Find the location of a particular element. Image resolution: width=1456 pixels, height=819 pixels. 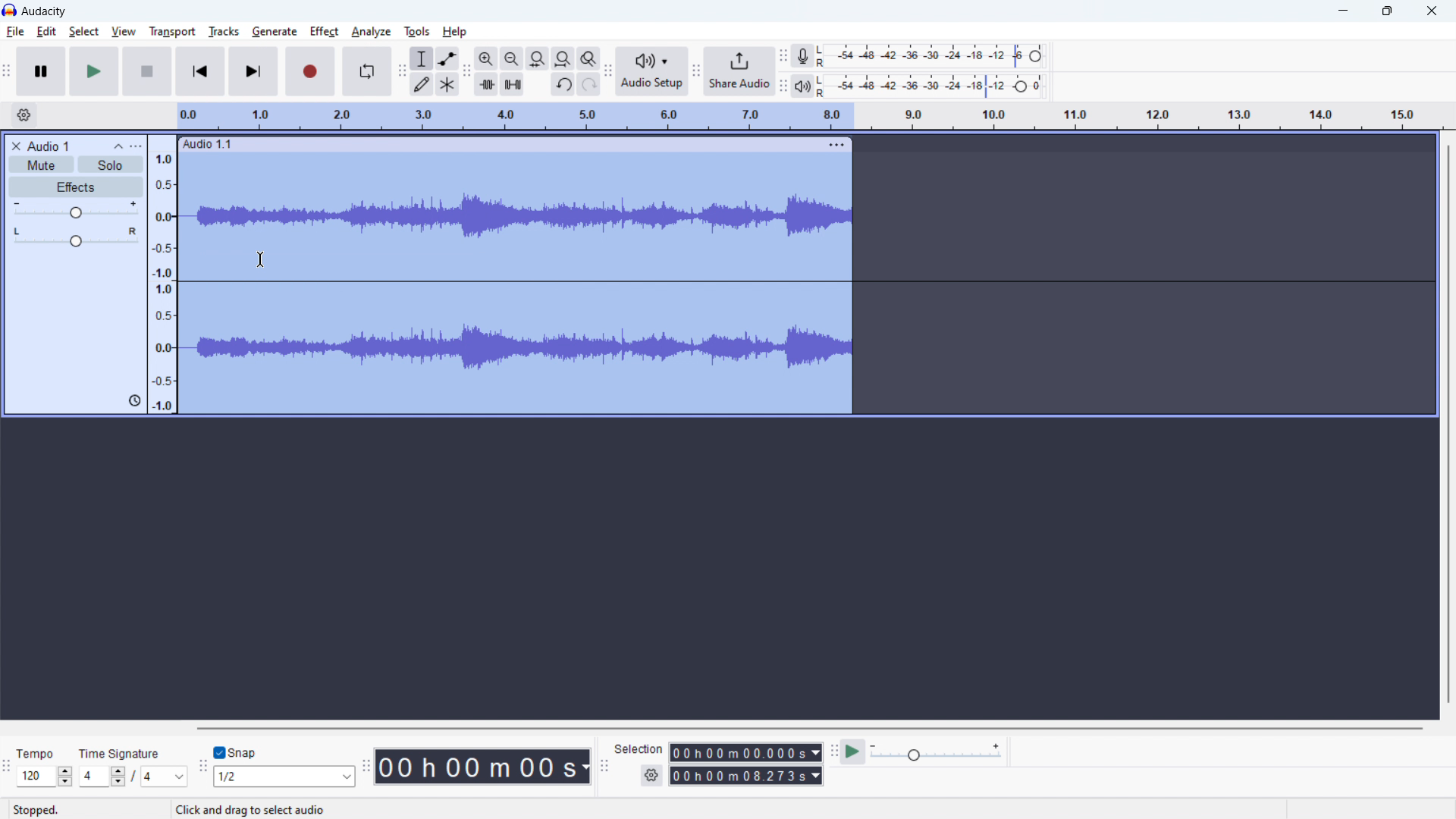

delete track is located at coordinates (14, 145).